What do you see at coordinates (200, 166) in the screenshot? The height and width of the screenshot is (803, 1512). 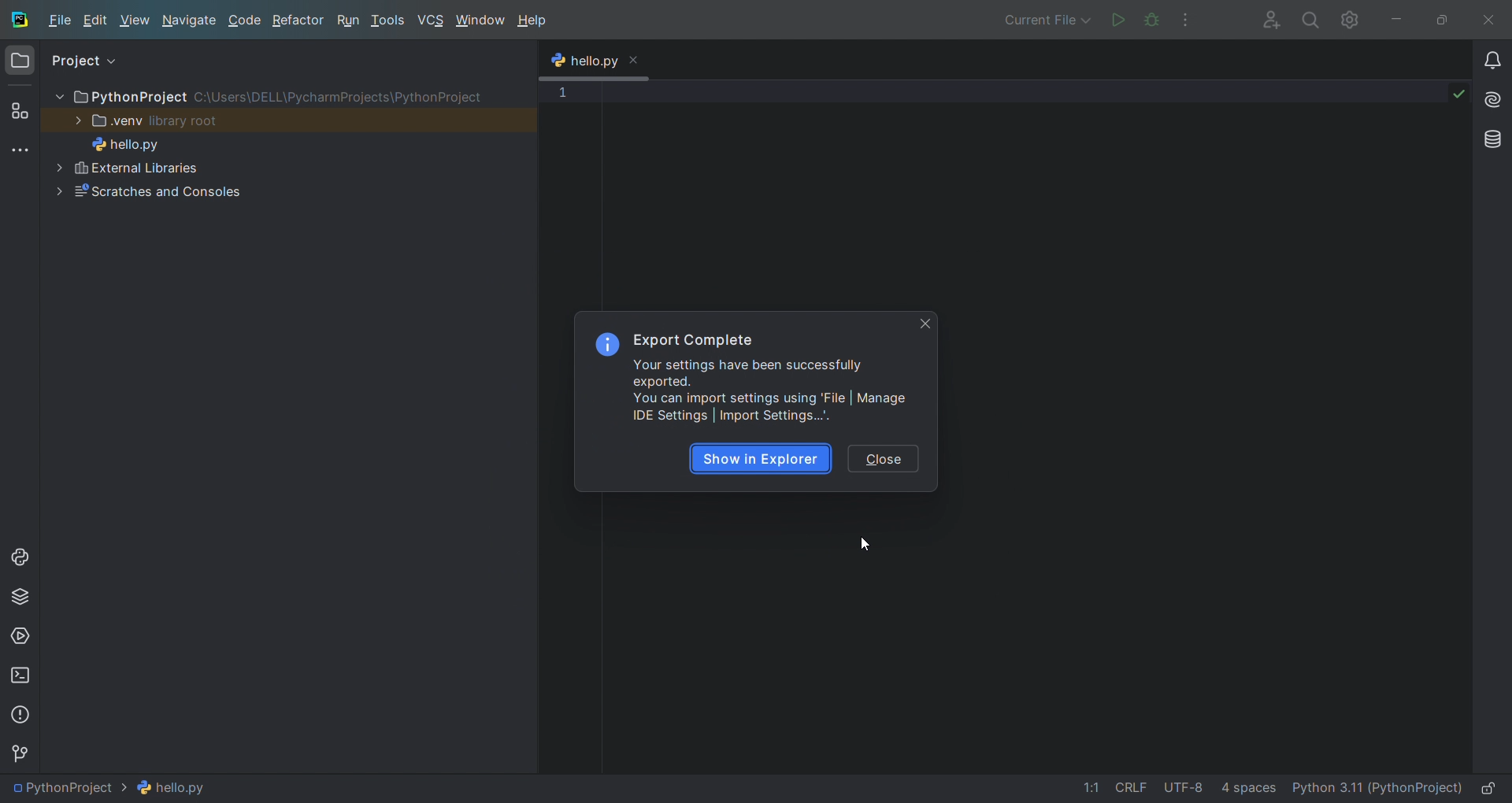 I see `External Libraries` at bounding box center [200, 166].